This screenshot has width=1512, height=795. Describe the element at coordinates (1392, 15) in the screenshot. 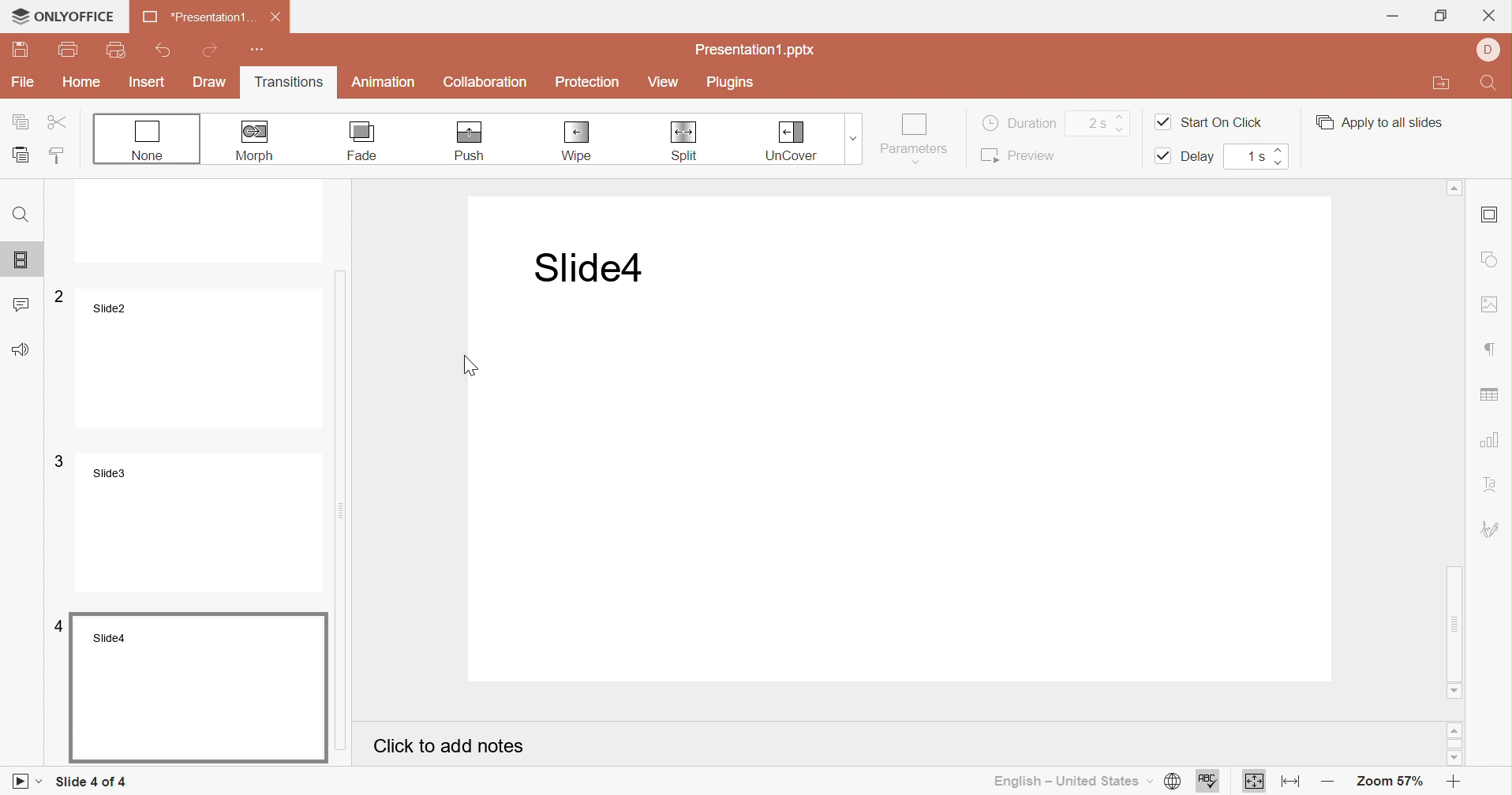

I see `Minimize` at that location.